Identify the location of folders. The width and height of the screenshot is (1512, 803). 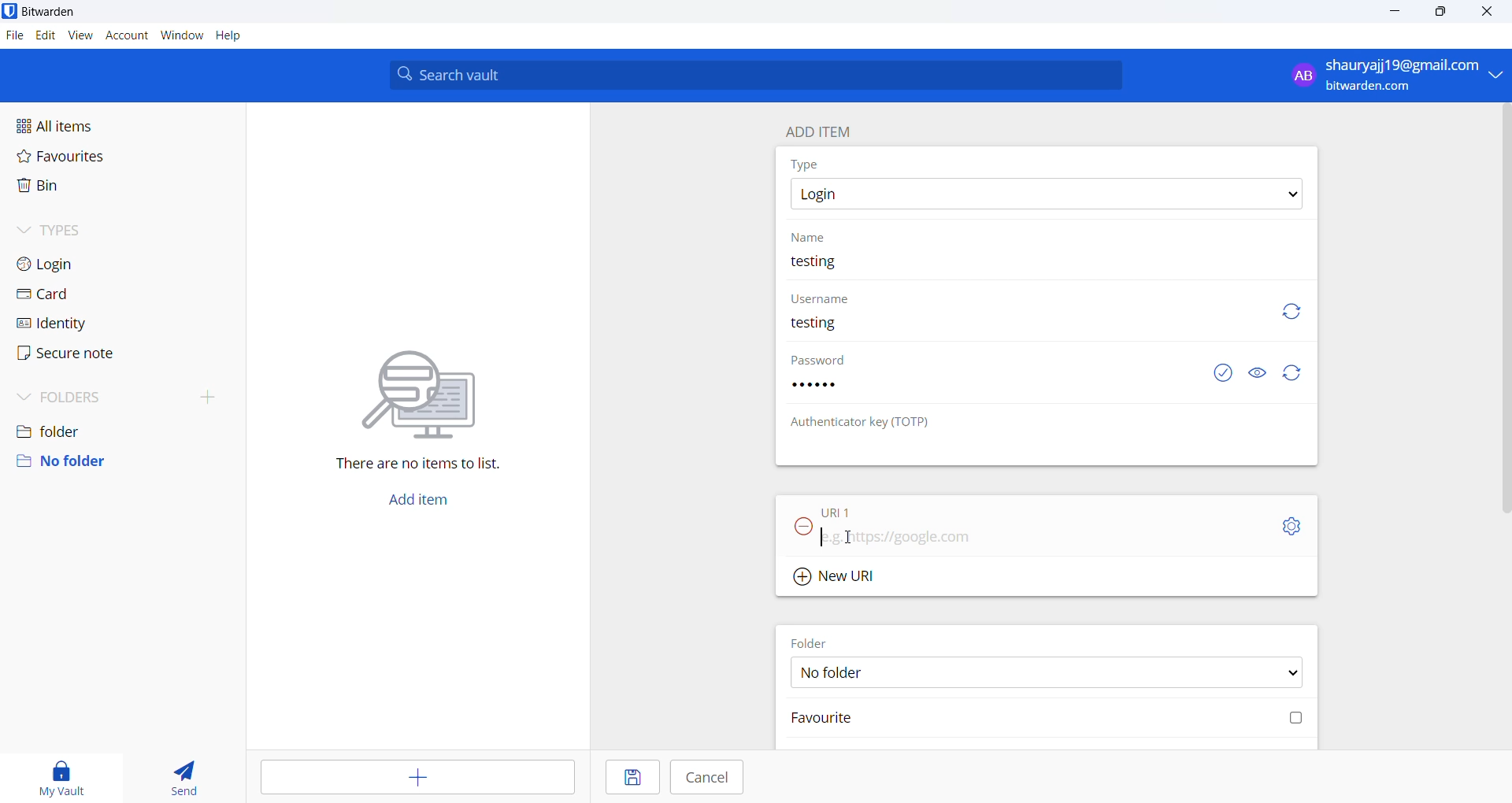
(126, 394).